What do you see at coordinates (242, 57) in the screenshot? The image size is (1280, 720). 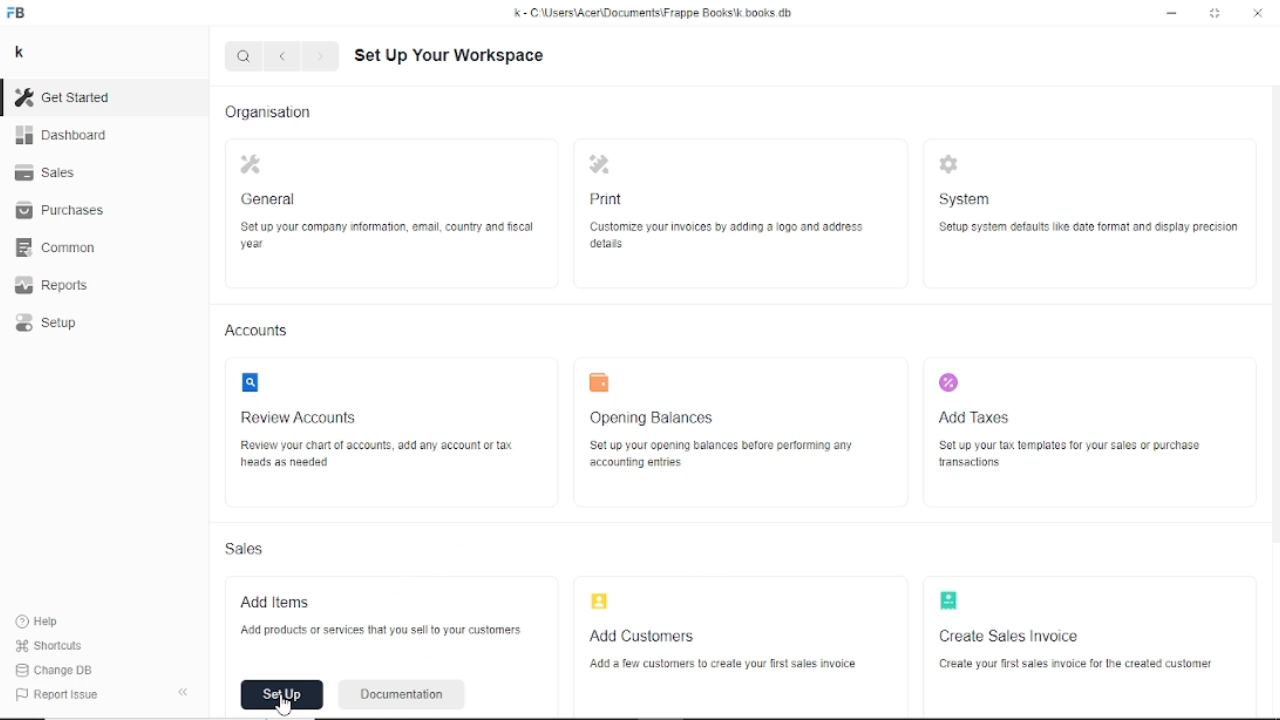 I see `Search` at bounding box center [242, 57].